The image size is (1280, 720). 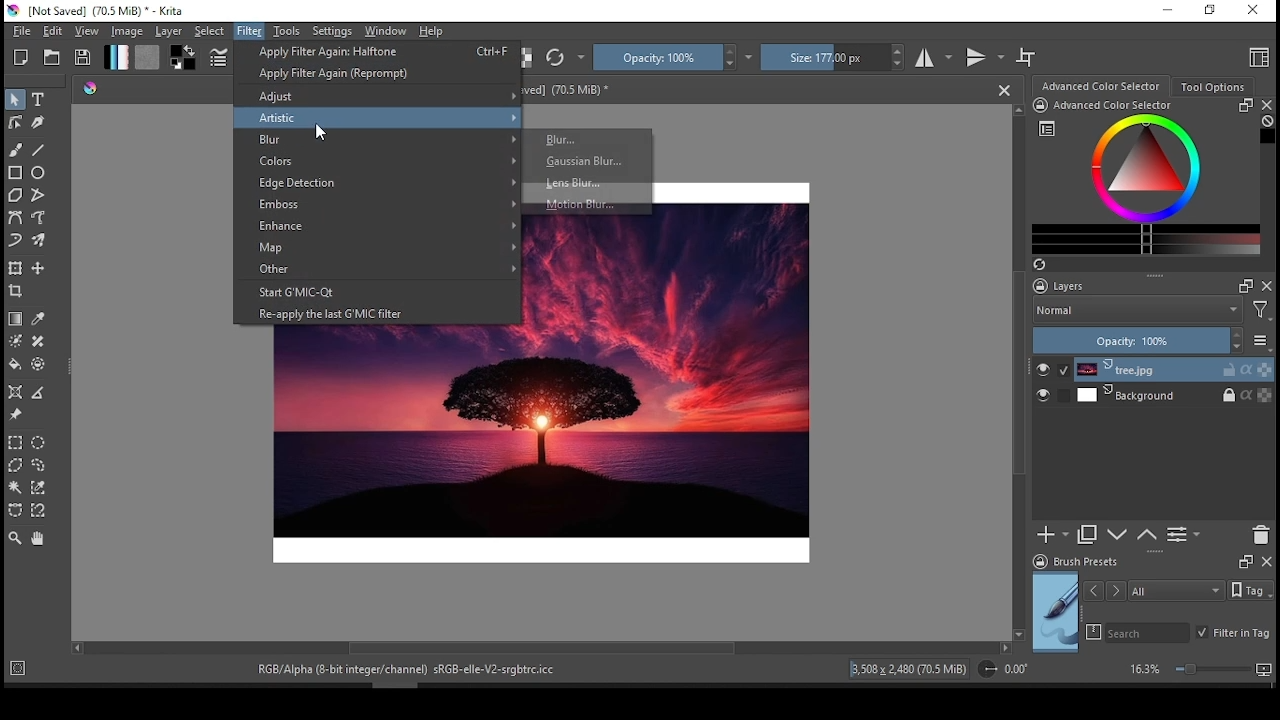 I want to click on blend mode, so click(x=1154, y=310).